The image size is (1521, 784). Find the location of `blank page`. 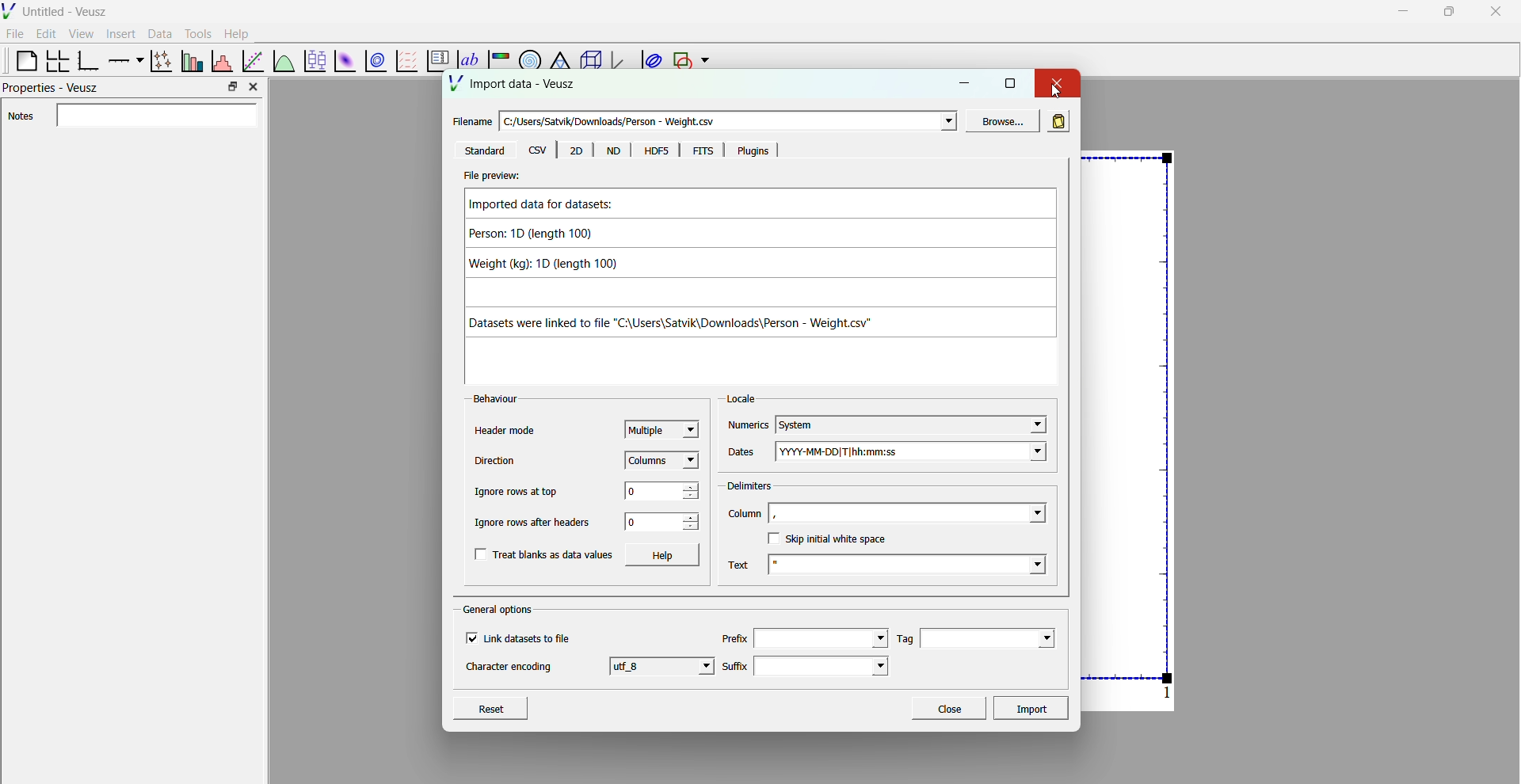

blank page is located at coordinates (20, 60).